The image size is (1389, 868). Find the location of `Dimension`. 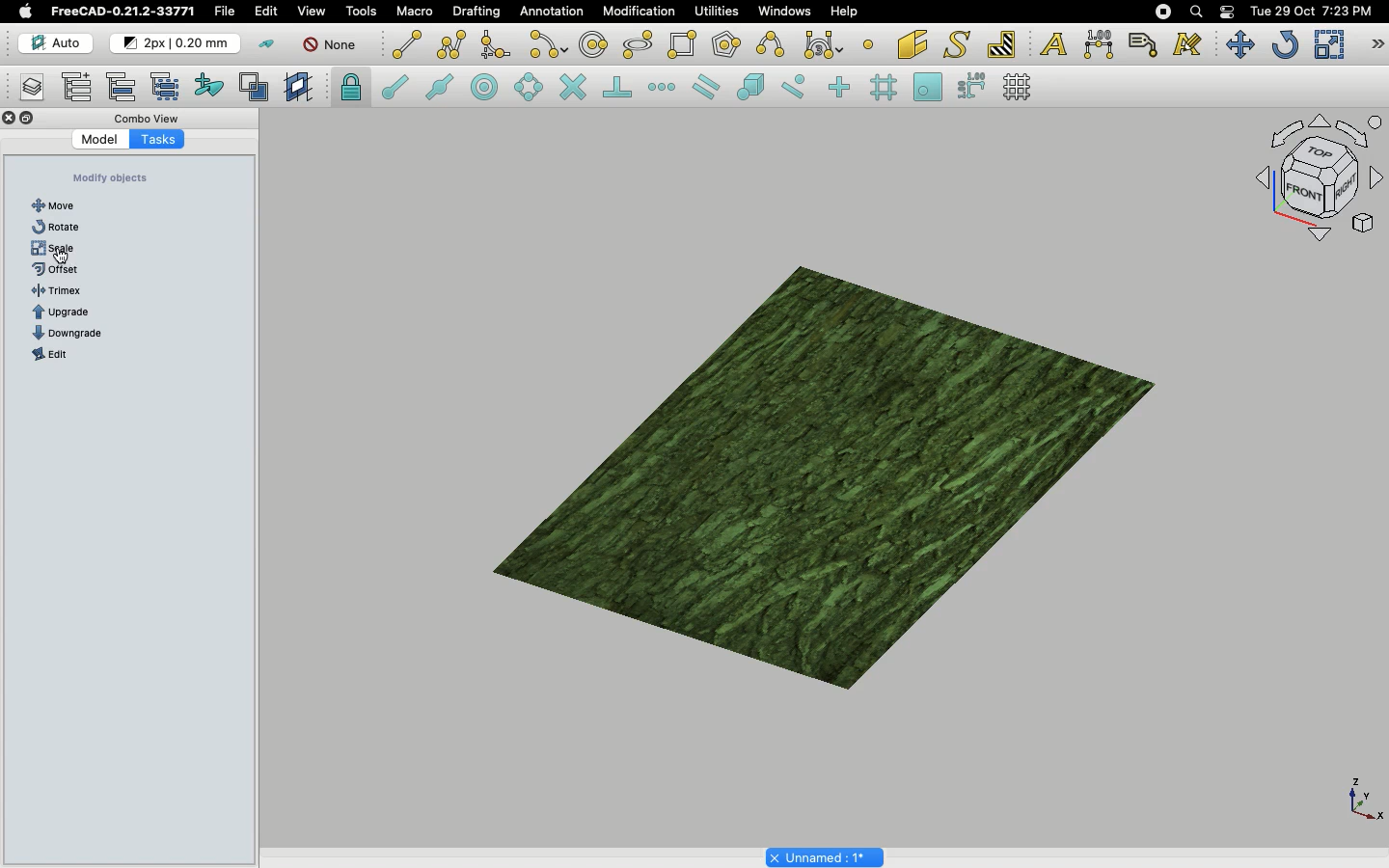

Dimension is located at coordinates (67, 353).